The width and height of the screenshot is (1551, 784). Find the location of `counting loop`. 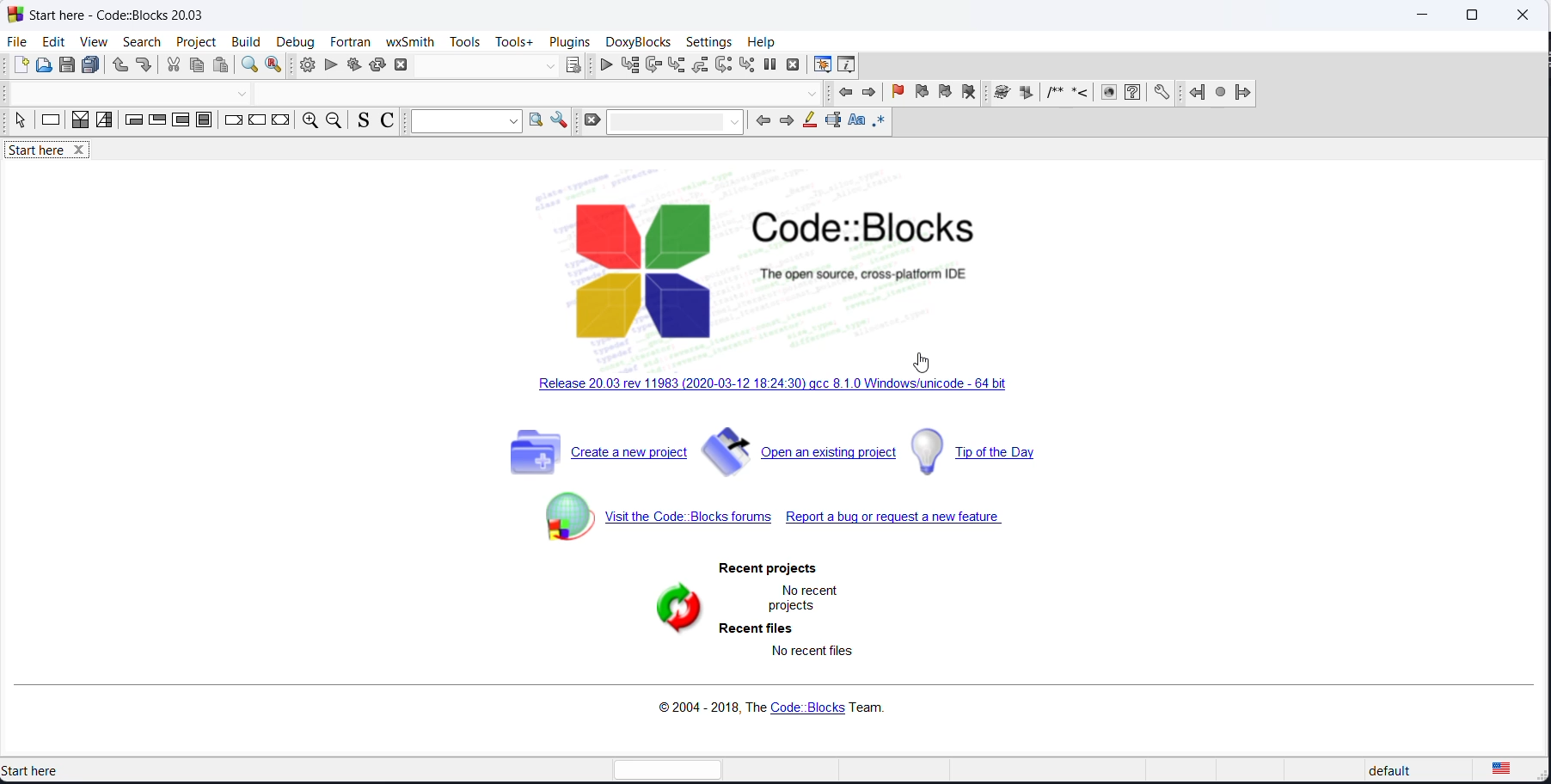

counting loop is located at coordinates (180, 122).